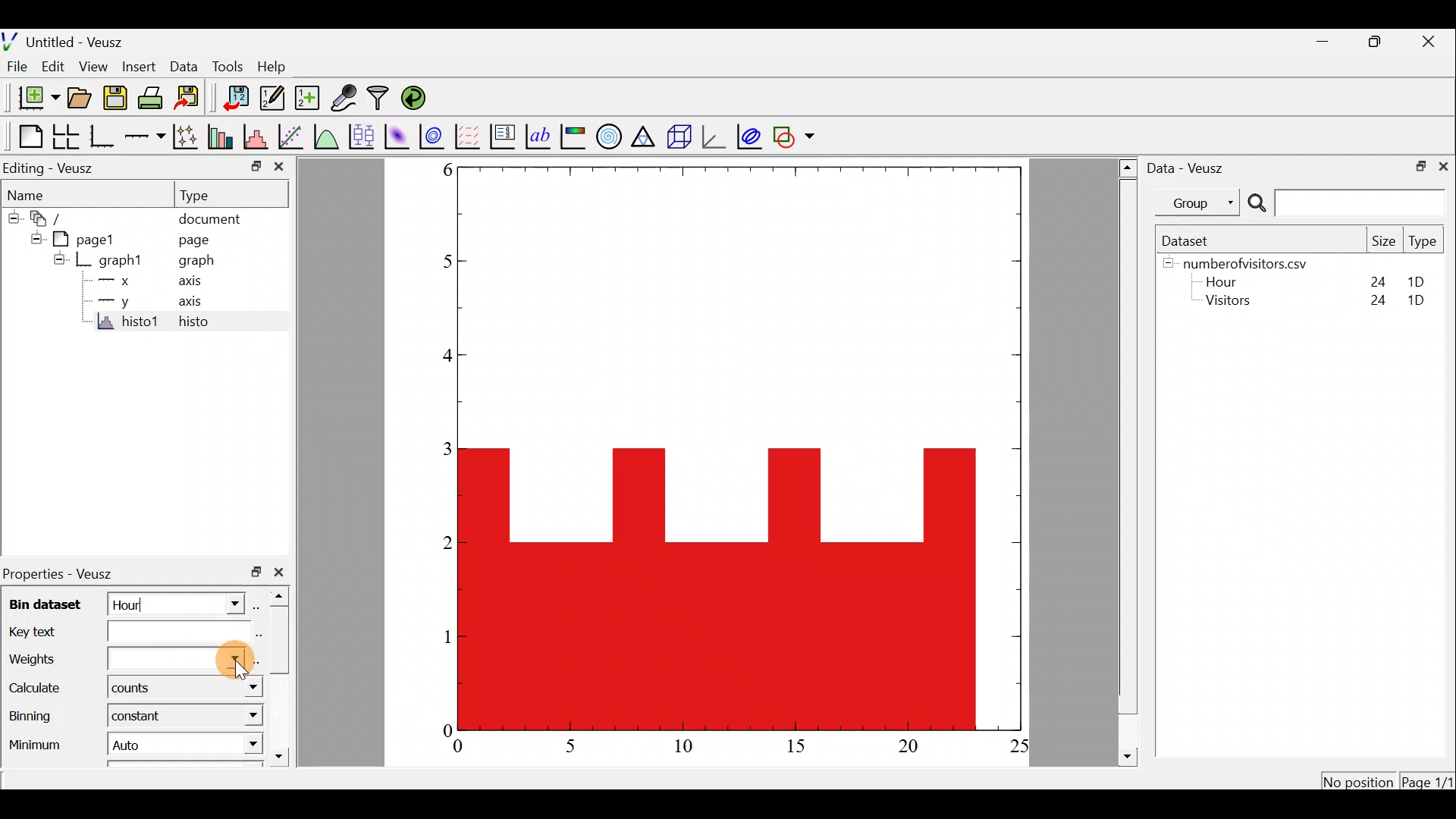  I want to click on hide sub menu, so click(55, 262).